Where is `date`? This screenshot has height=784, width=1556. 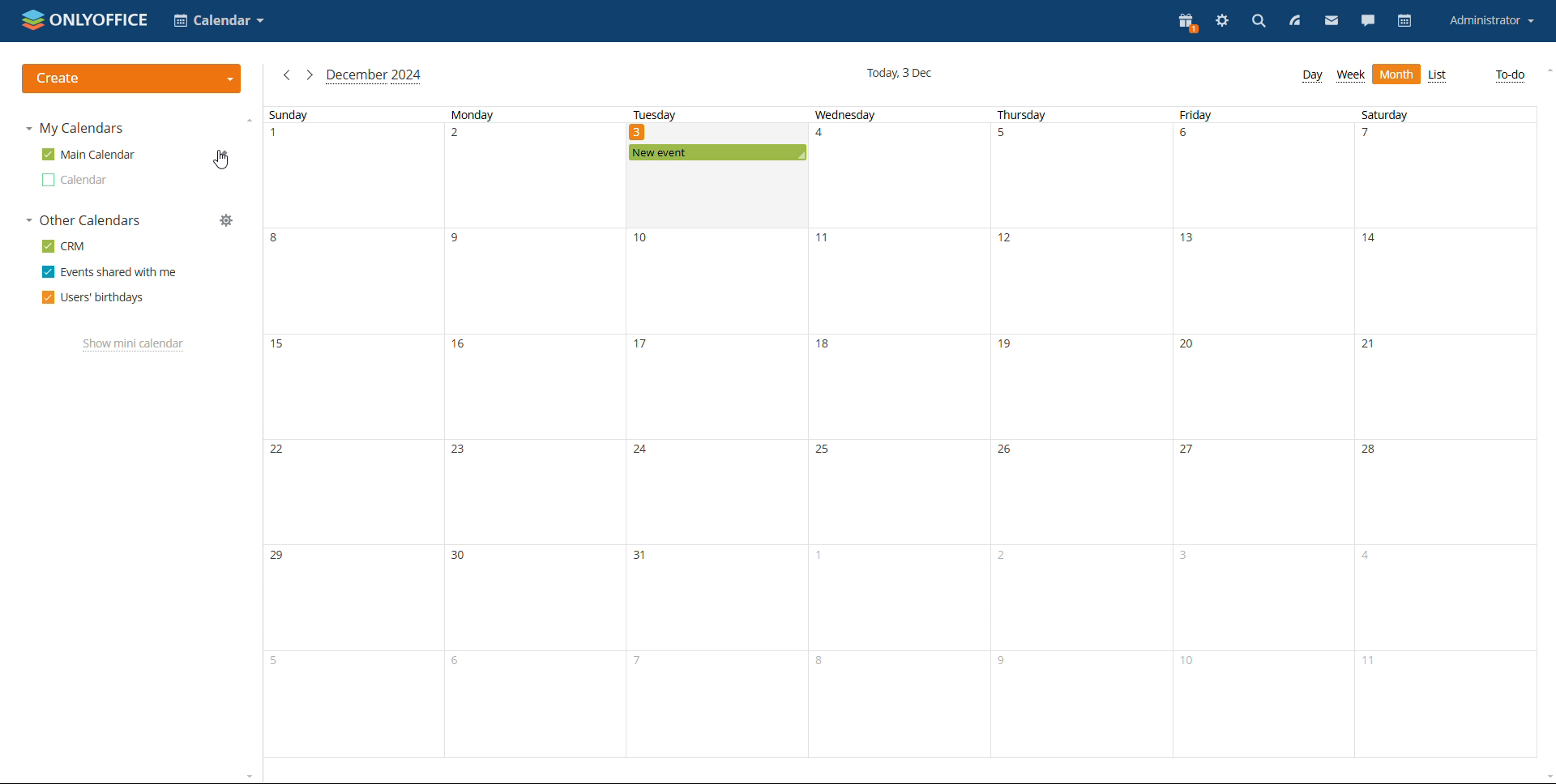 date is located at coordinates (1078, 176).